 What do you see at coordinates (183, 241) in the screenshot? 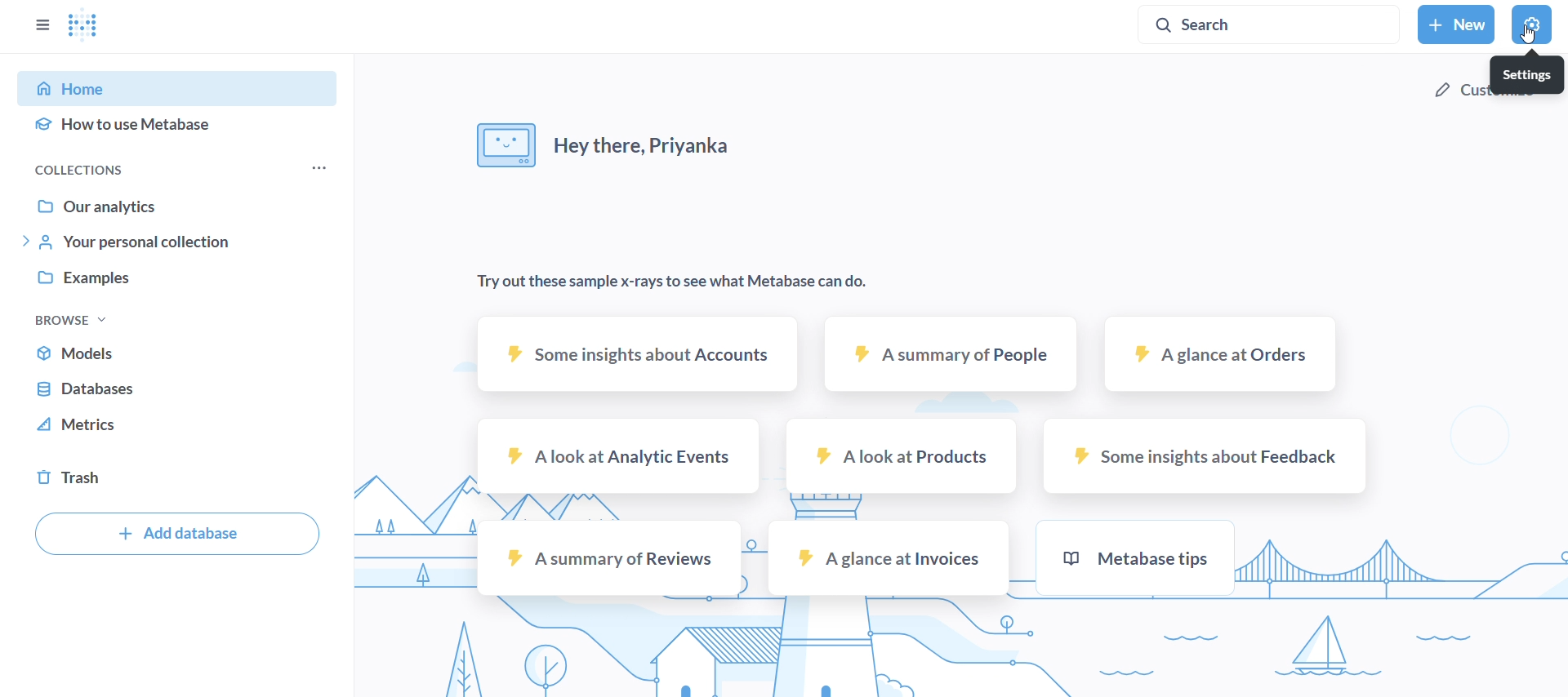
I see `your personal collection` at bounding box center [183, 241].